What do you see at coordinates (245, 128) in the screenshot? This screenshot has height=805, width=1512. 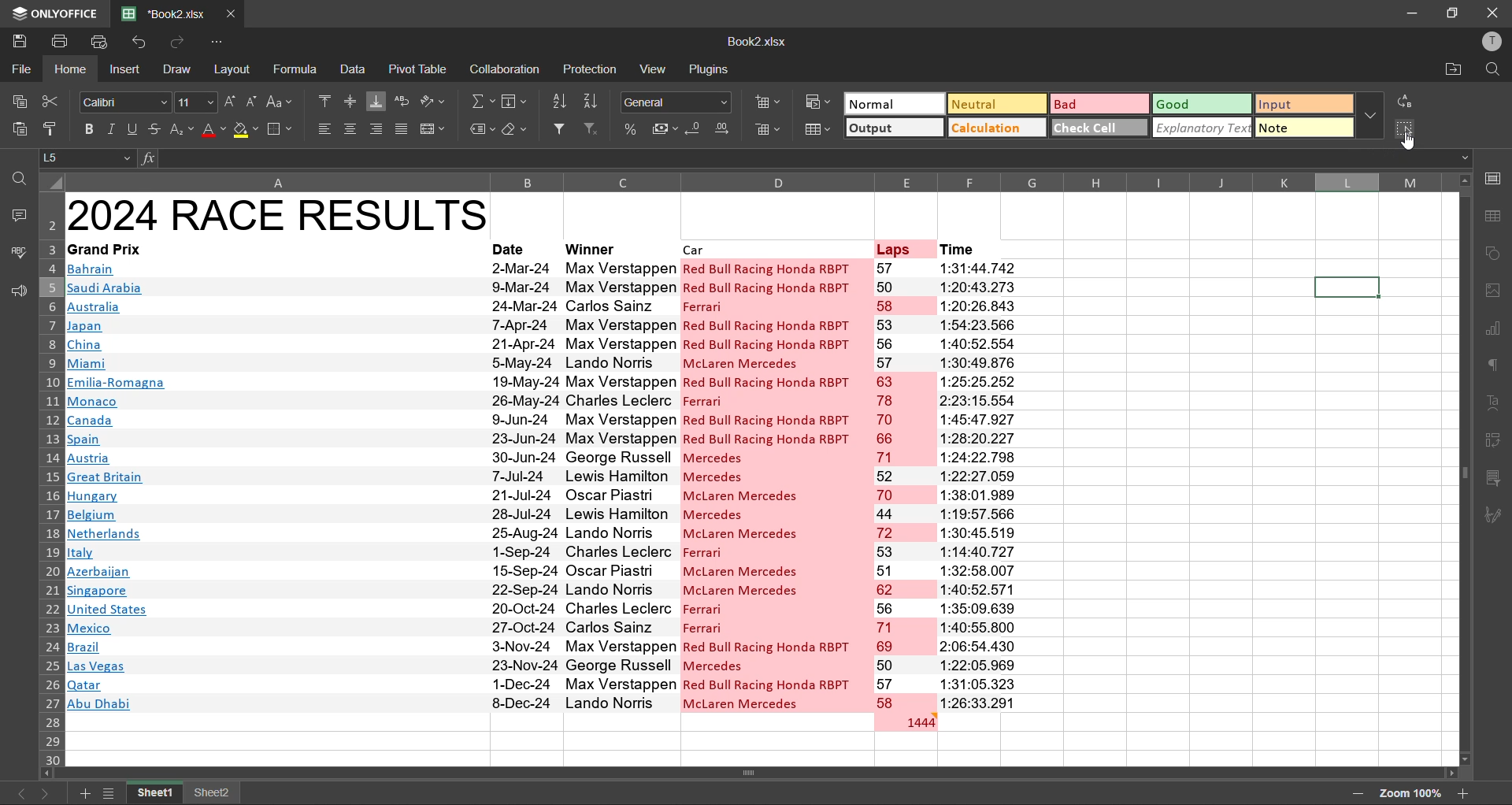 I see `fill color` at bounding box center [245, 128].